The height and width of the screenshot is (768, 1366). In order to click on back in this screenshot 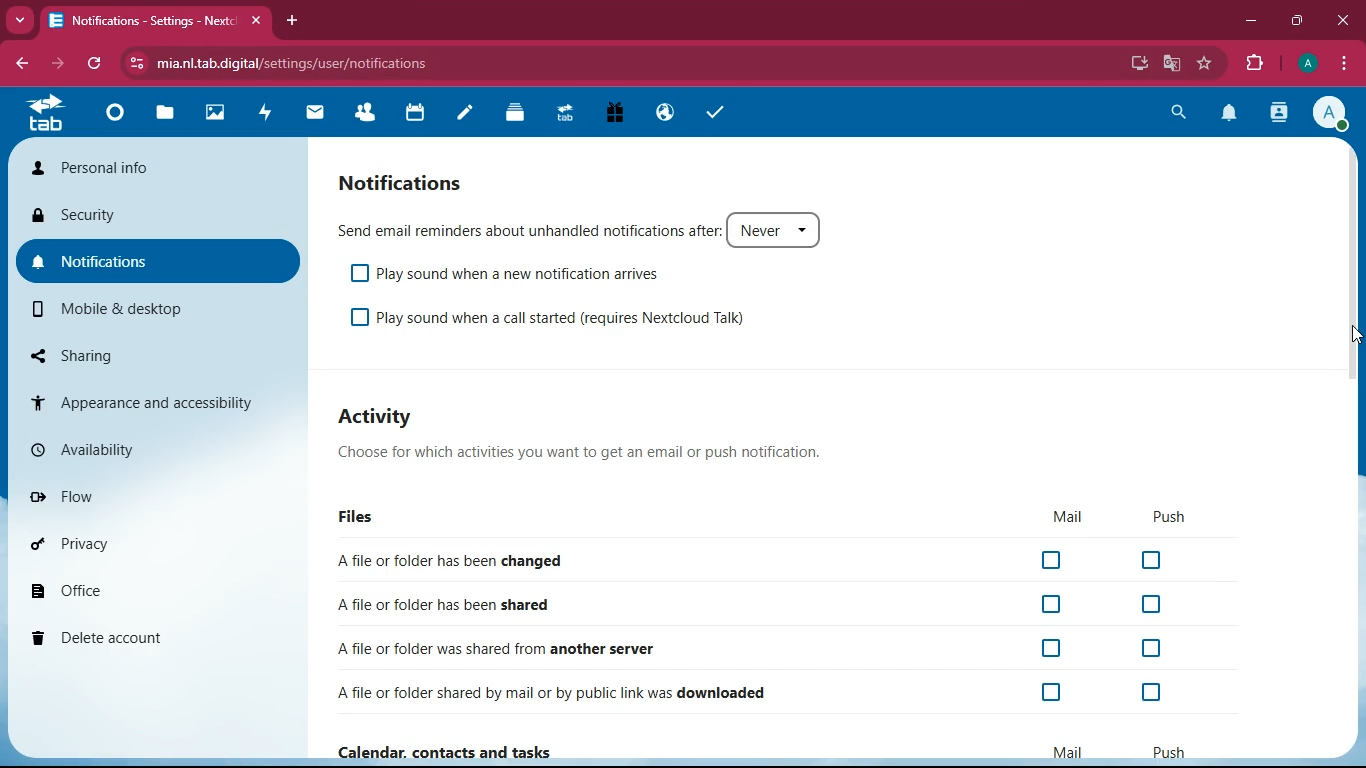, I will do `click(22, 63)`.